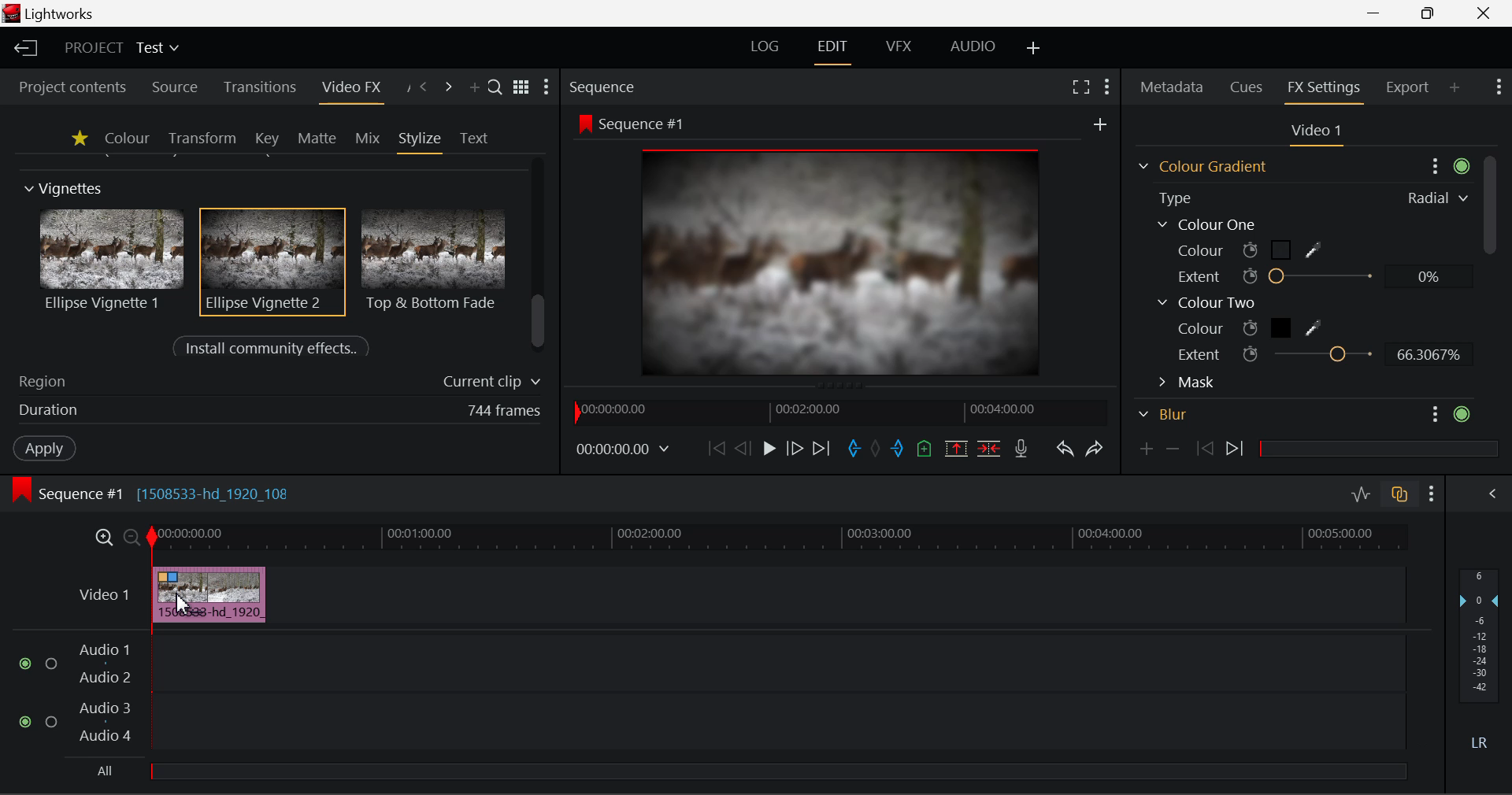 This screenshot has height=795, width=1512. What do you see at coordinates (1210, 302) in the screenshot?
I see `v Colour Two` at bounding box center [1210, 302].